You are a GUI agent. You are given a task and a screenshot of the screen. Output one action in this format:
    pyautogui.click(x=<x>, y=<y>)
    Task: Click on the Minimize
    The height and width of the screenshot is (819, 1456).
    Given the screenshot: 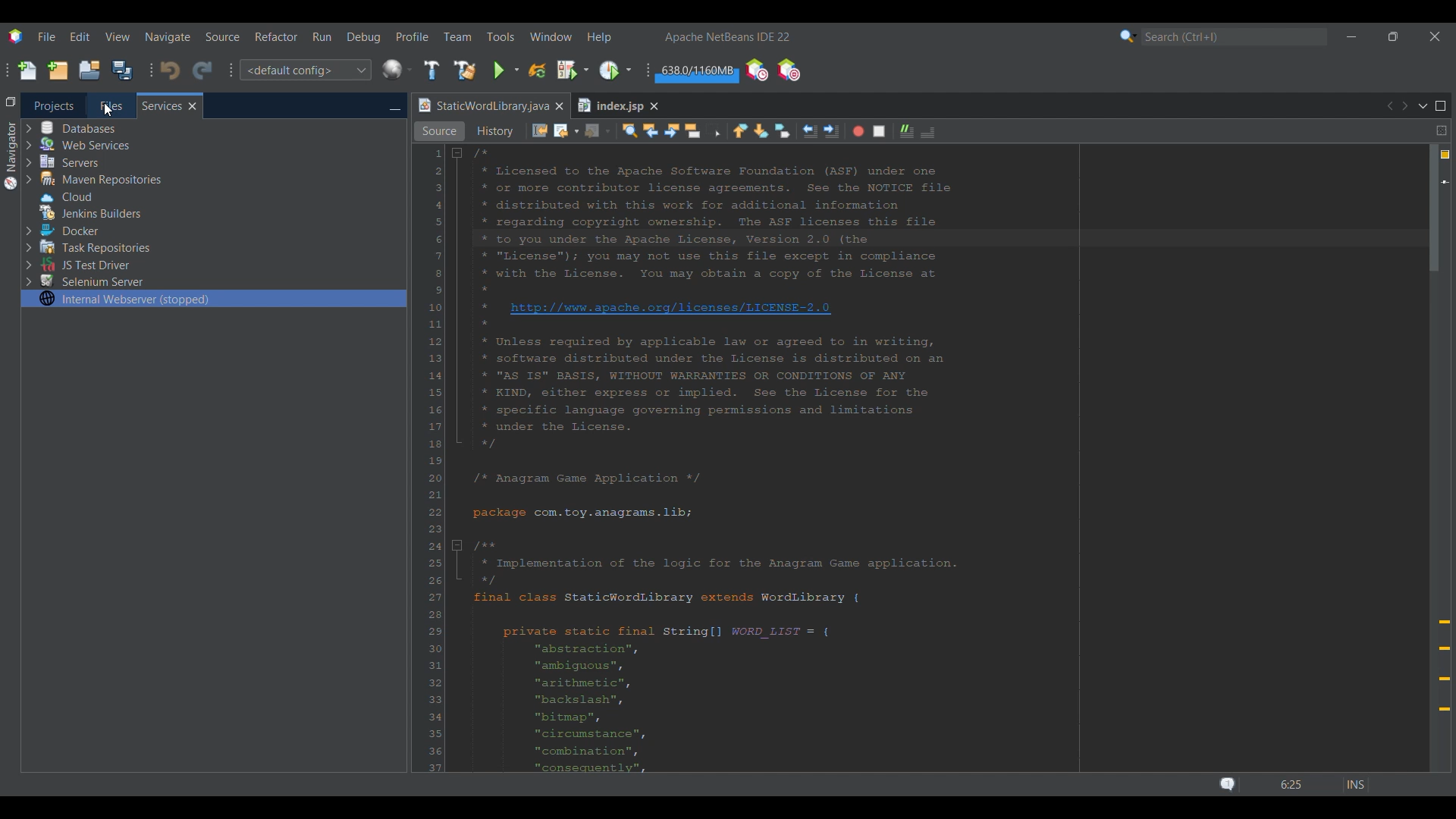 What is the action you would take?
    pyautogui.click(x=1351, y=37)
    